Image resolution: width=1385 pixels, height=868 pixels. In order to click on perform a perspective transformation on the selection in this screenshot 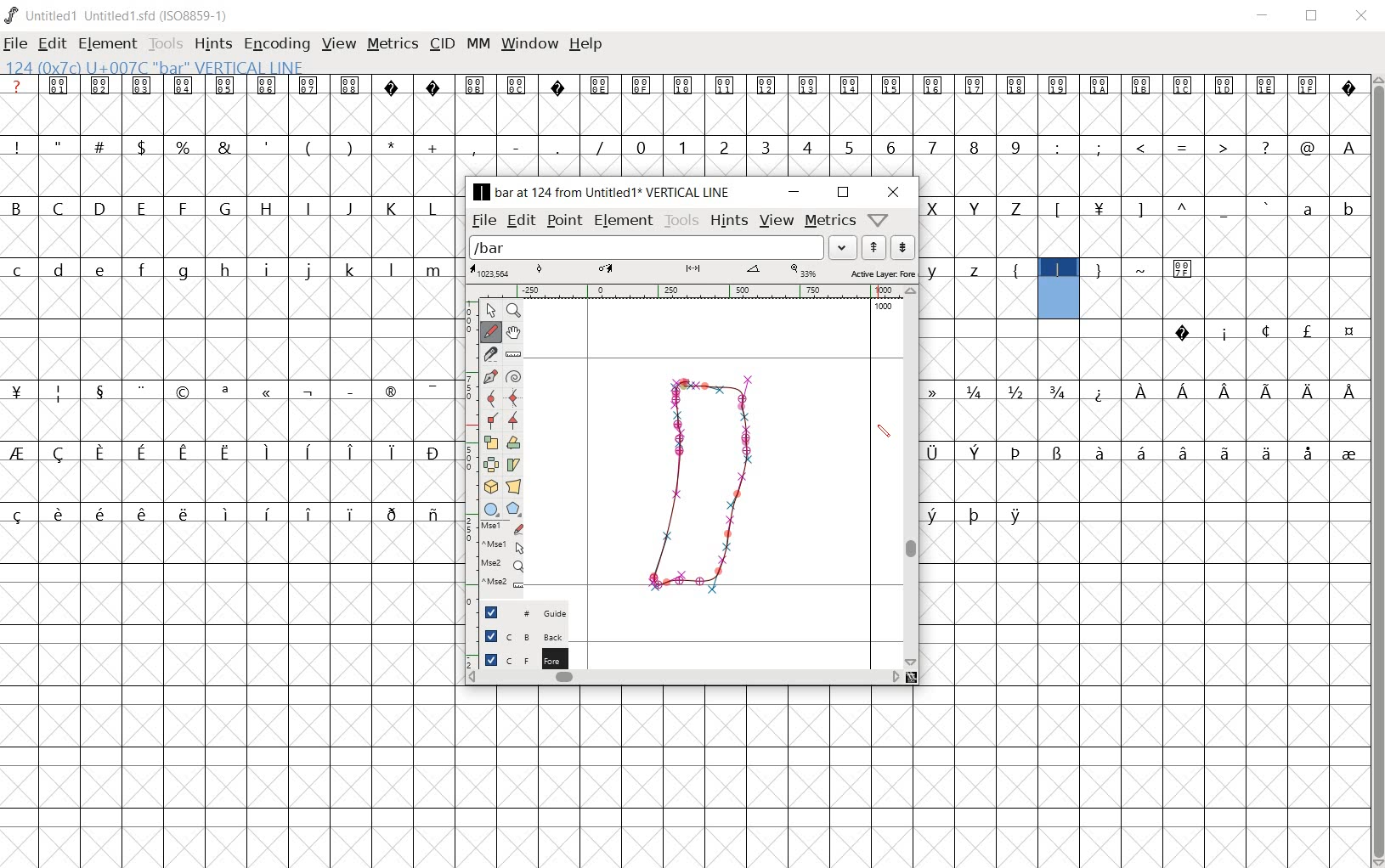, I will do `click(514, 486)`.